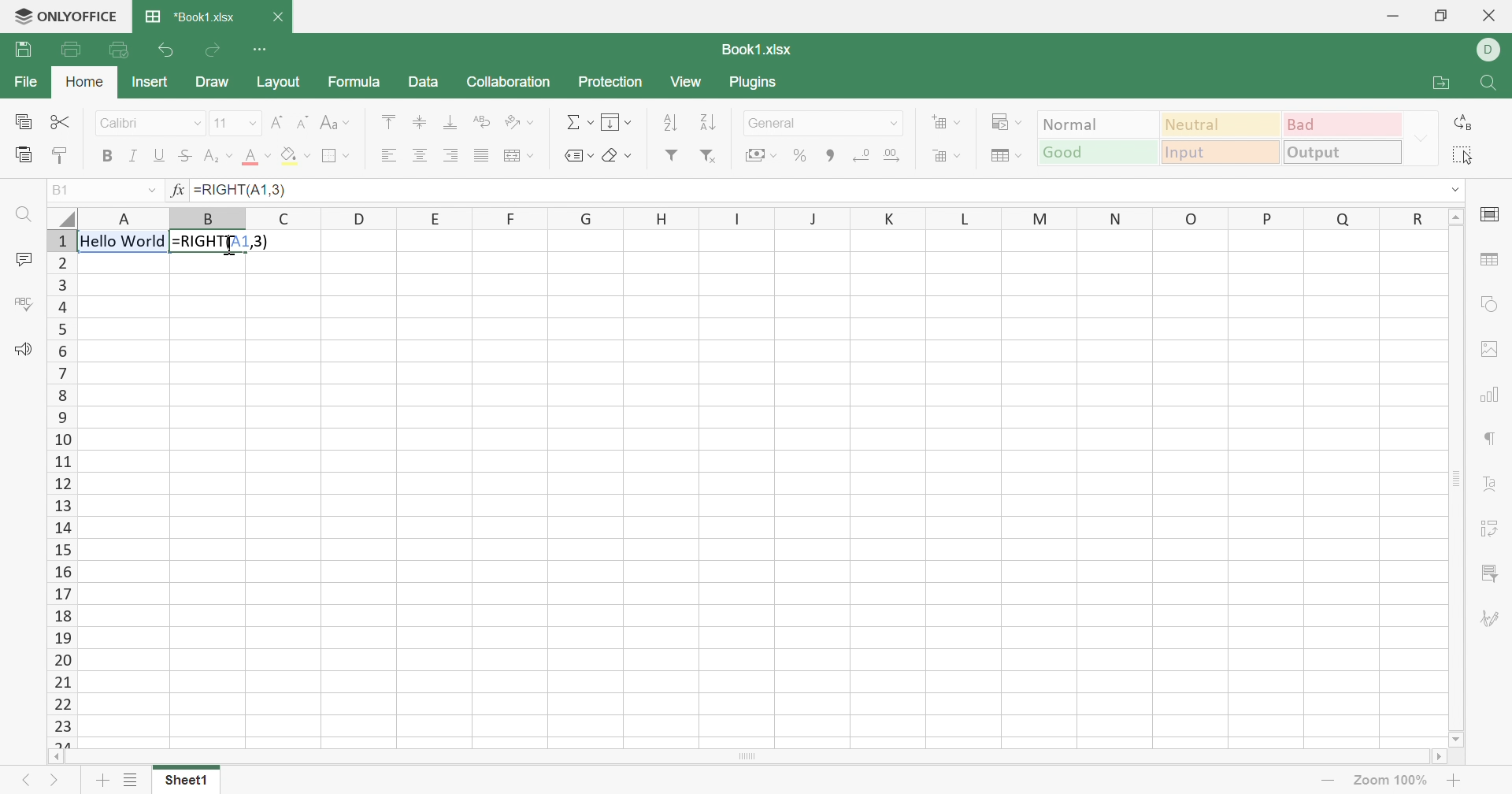 This screenshot has height=794, width=1512. What do you see at coordinates (451, 121) in the screenshot?
I see `Align bottom` at bounding box center [451, 121].